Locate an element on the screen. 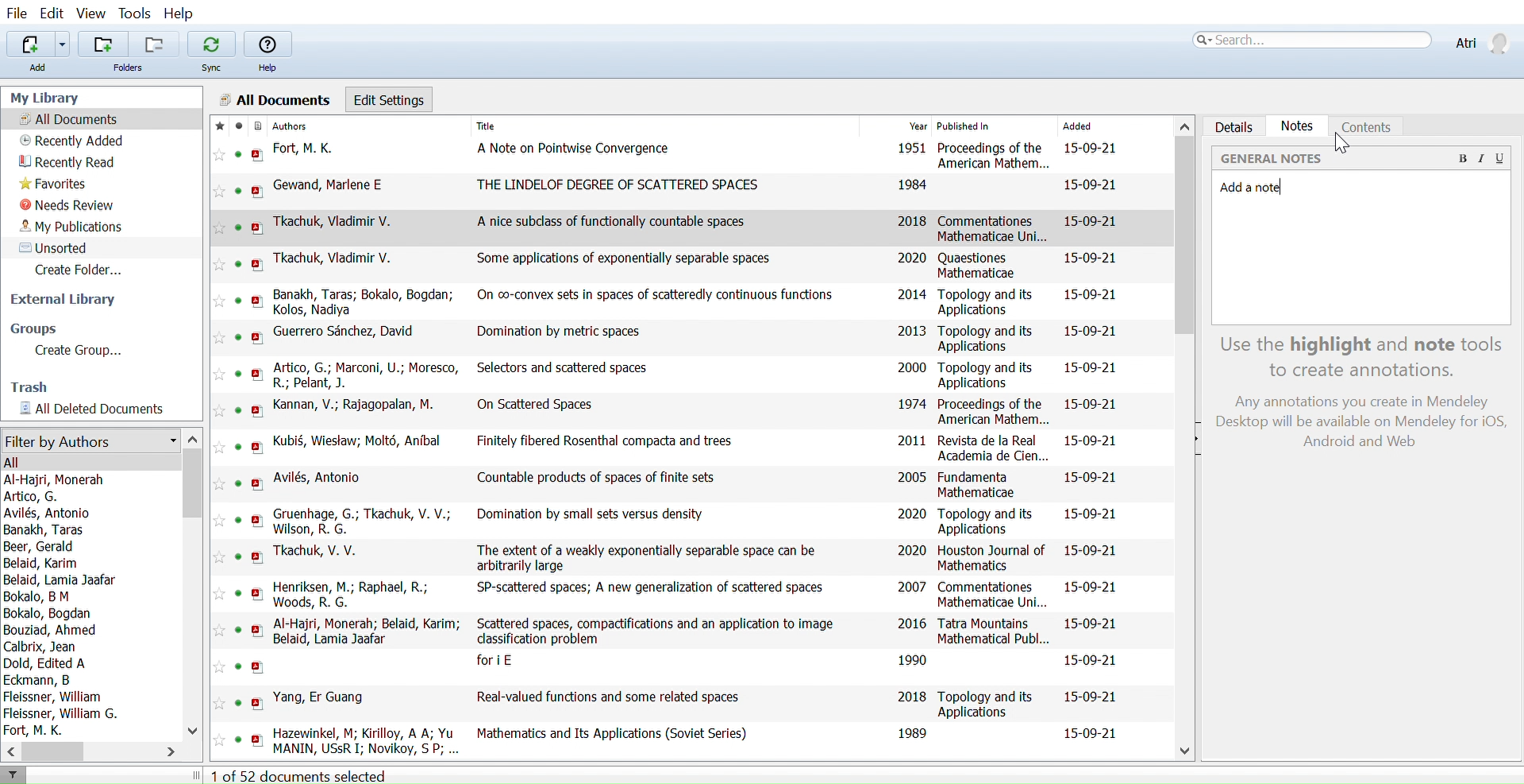 This screenshot has width=1524, height=784. All Documents is located at coordinates (273, 98).